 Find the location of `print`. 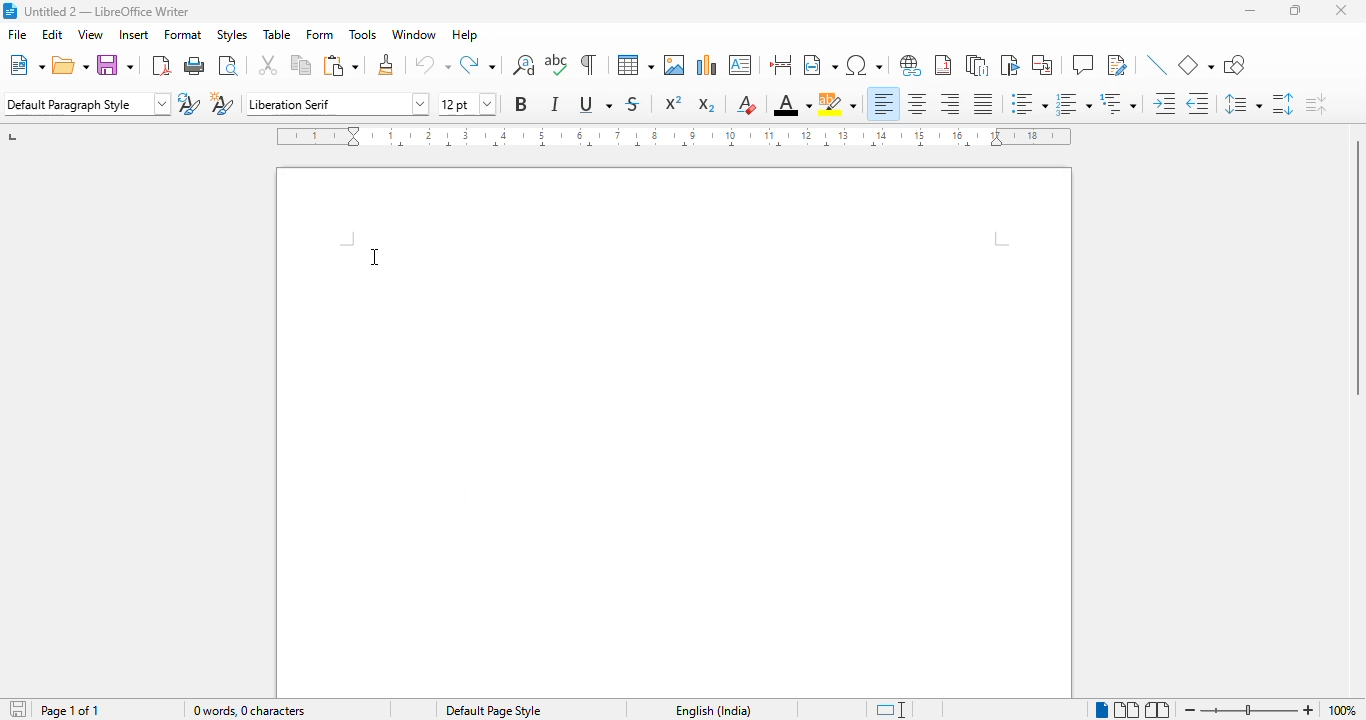

print is located at coordinates (196, 65).